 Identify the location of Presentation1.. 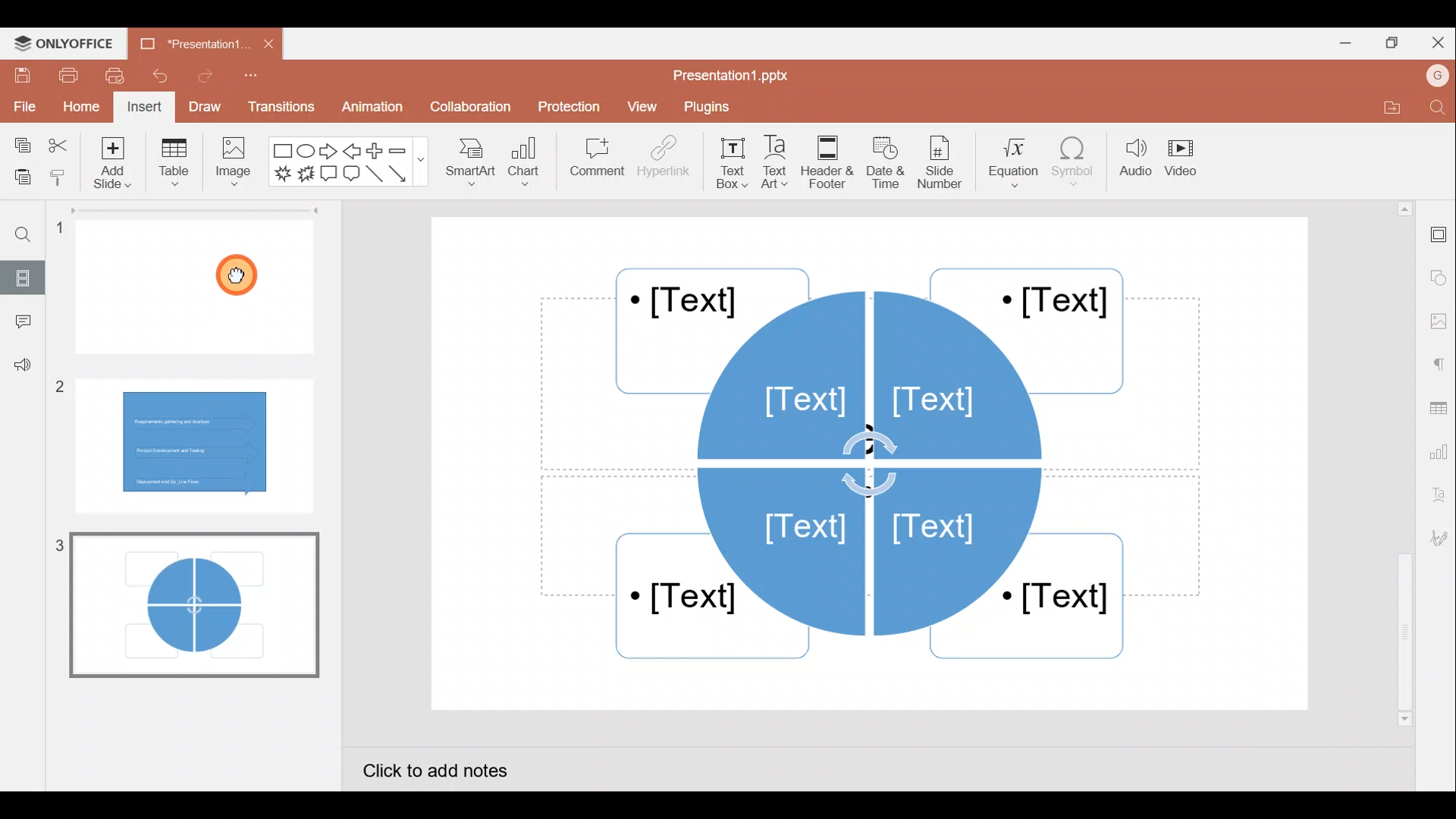
(190, 45).